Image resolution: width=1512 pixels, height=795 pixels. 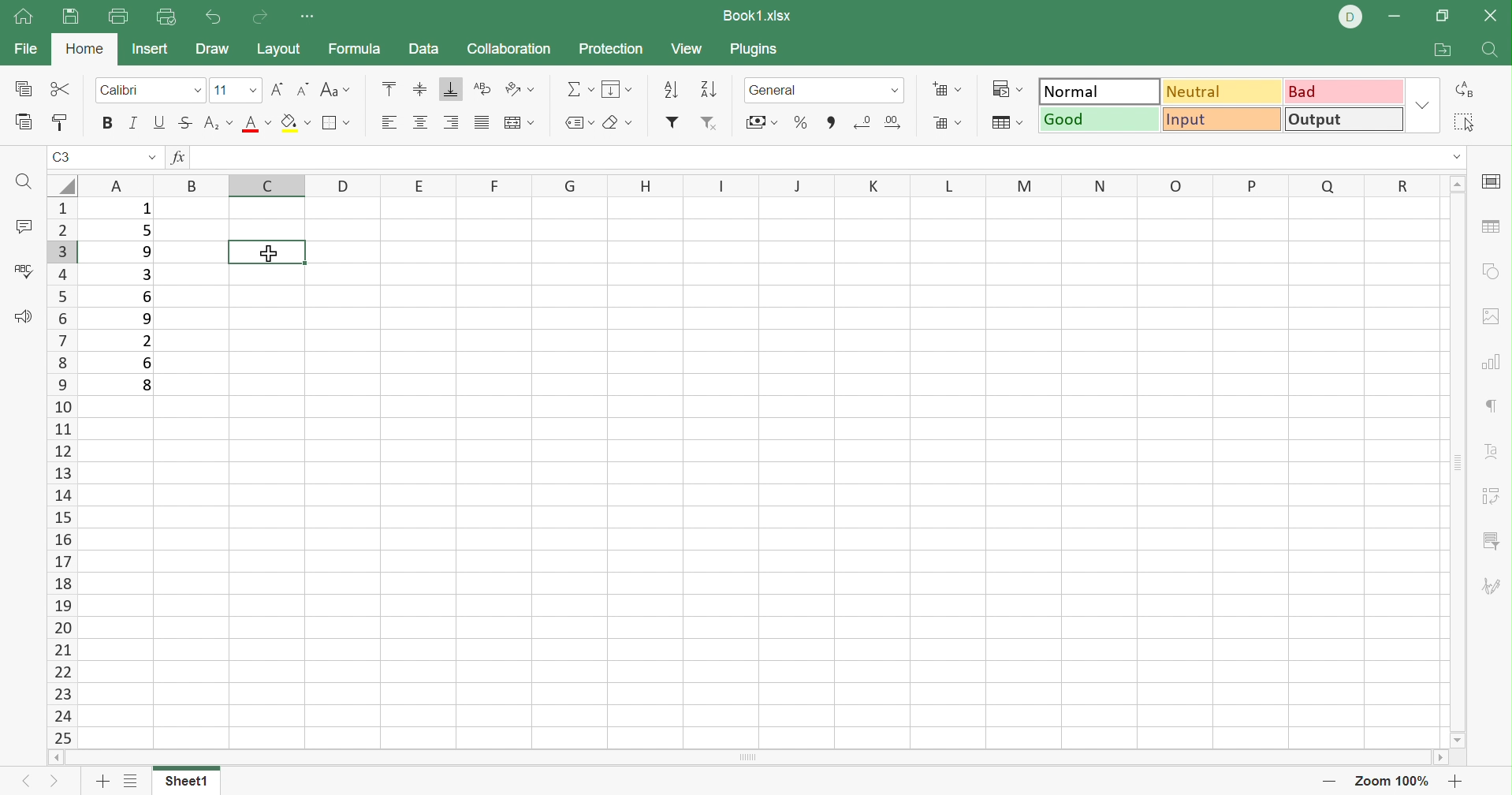 What do you see at coordinates (59, 90) in the screenshot?
I see `Cut` at bounding box center [59, 90].